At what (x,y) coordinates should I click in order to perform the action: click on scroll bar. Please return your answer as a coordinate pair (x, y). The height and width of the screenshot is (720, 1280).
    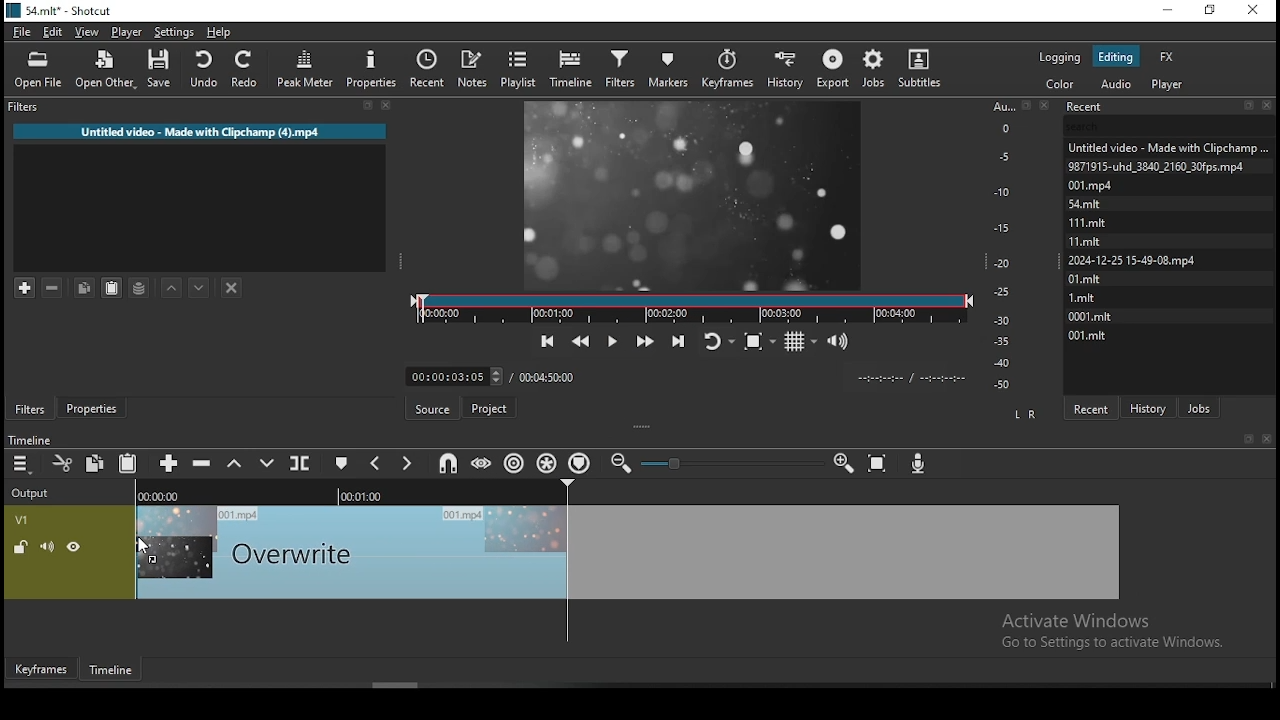
    Looking at the image, I should click on (380, 684).